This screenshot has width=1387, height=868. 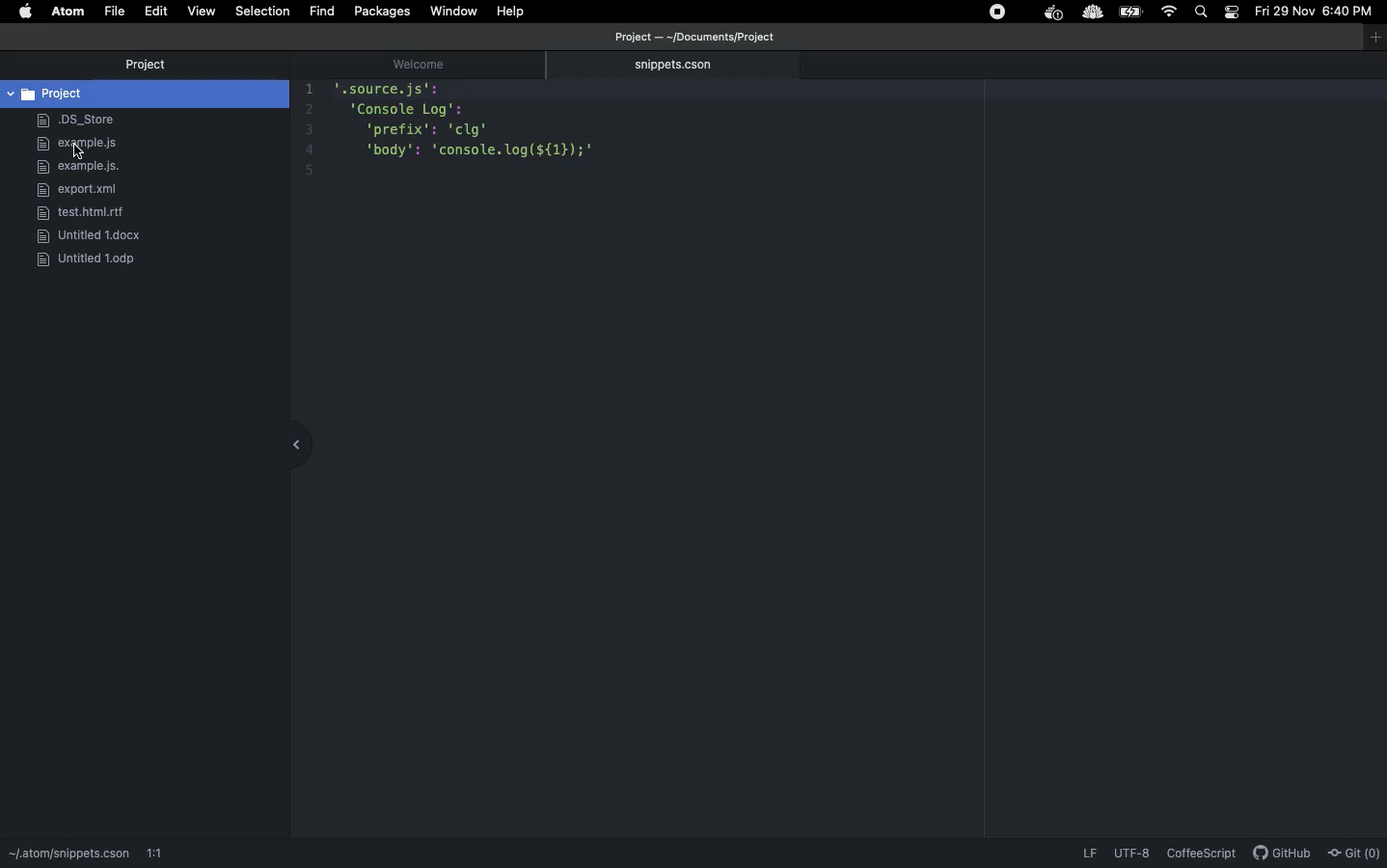 What do you see at coordinates (82, 213) in the screenshot?
I see `rlf` at bounding box center [82, 213].